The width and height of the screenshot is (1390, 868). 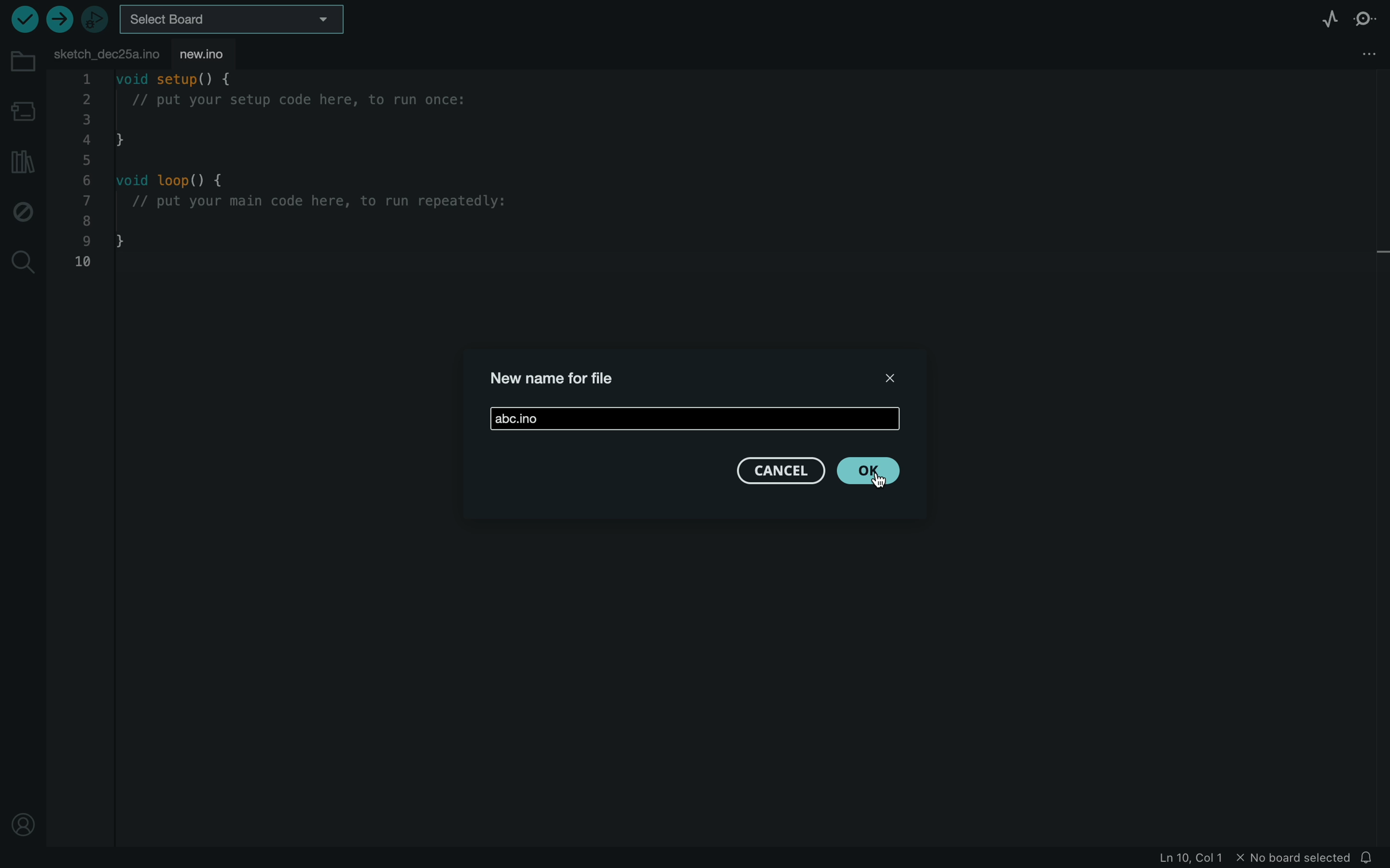 What do you see at coordinates (21, 61) in the screenshot?
I see `folder` at bounding box center [21, 61].